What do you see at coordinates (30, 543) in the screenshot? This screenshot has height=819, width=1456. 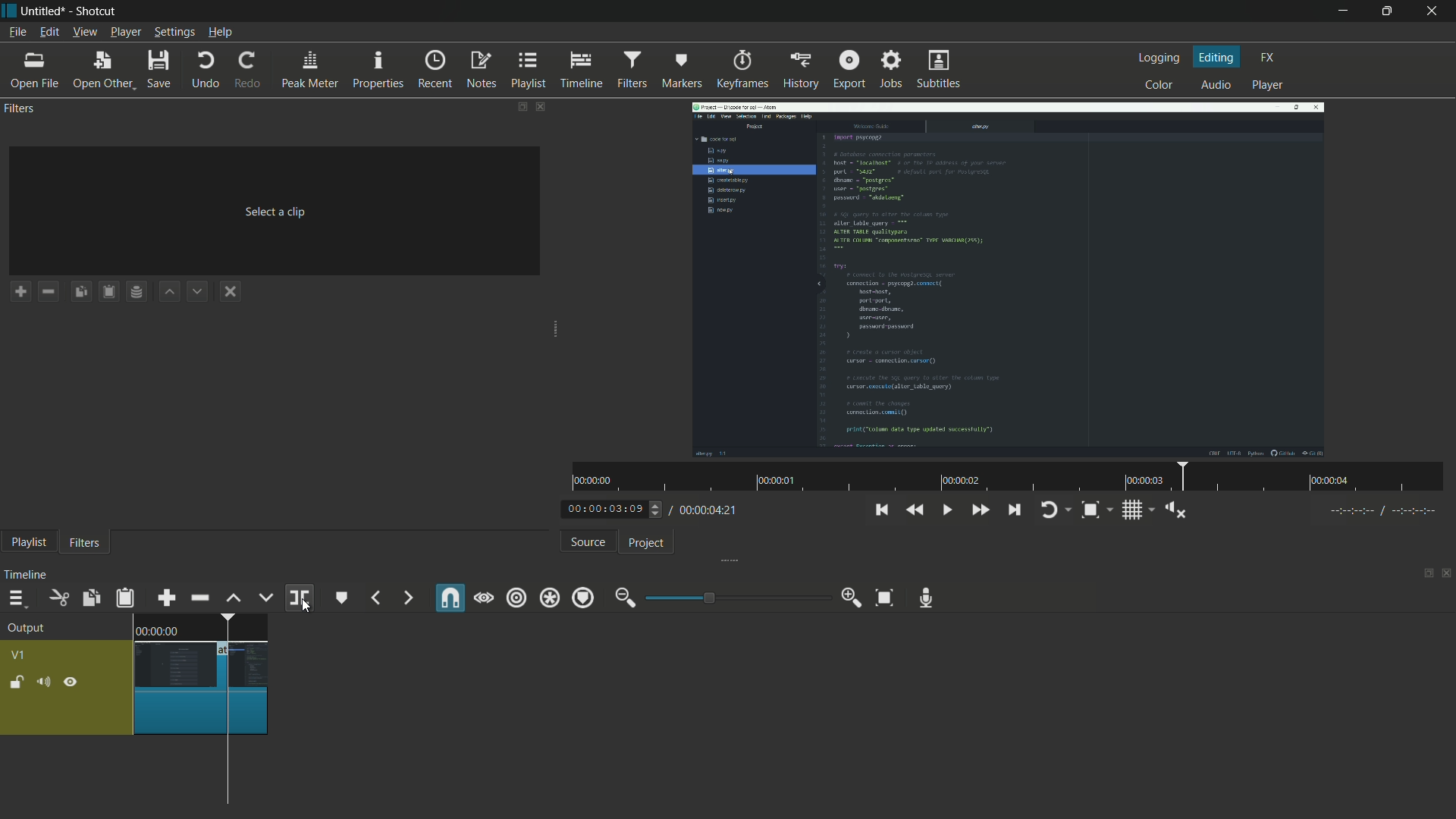 I see `playlist` at bounding box center [30, 543].